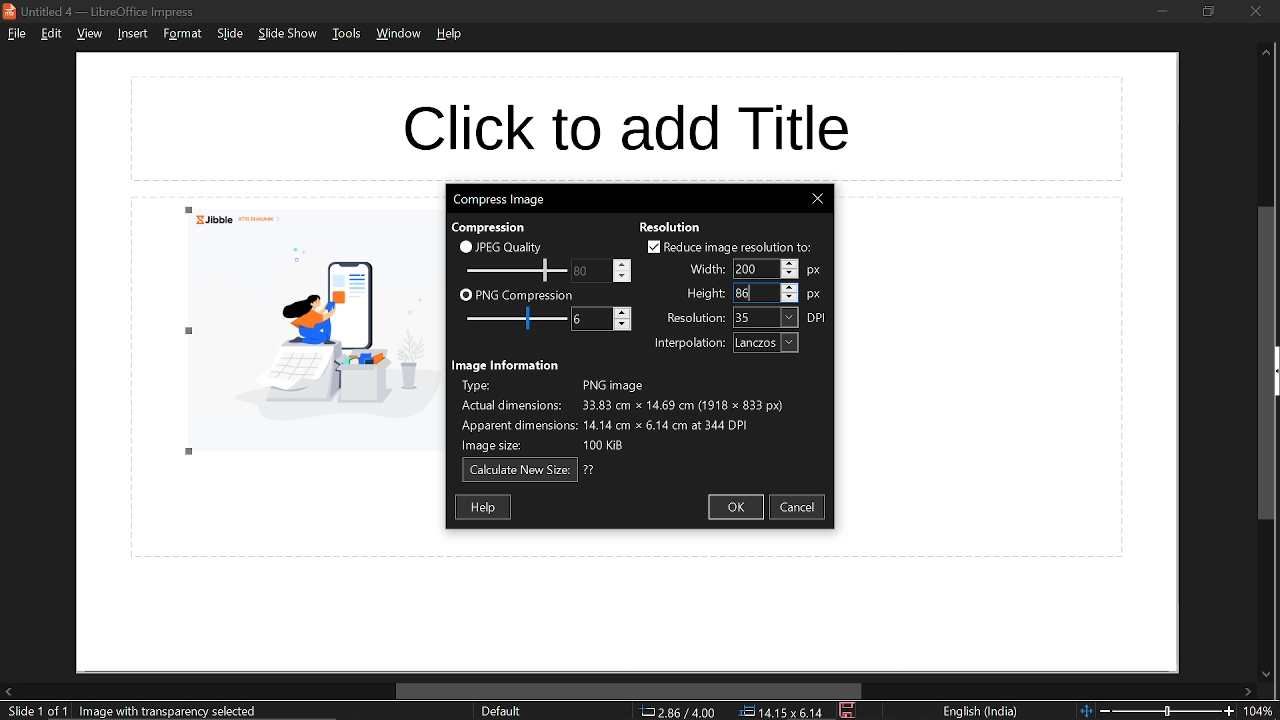 Image resolution: width=1280 pixels, height=720 pixels. Describe the element at coordinates (498, 198) in the screenshot. I see `current window` at that location.